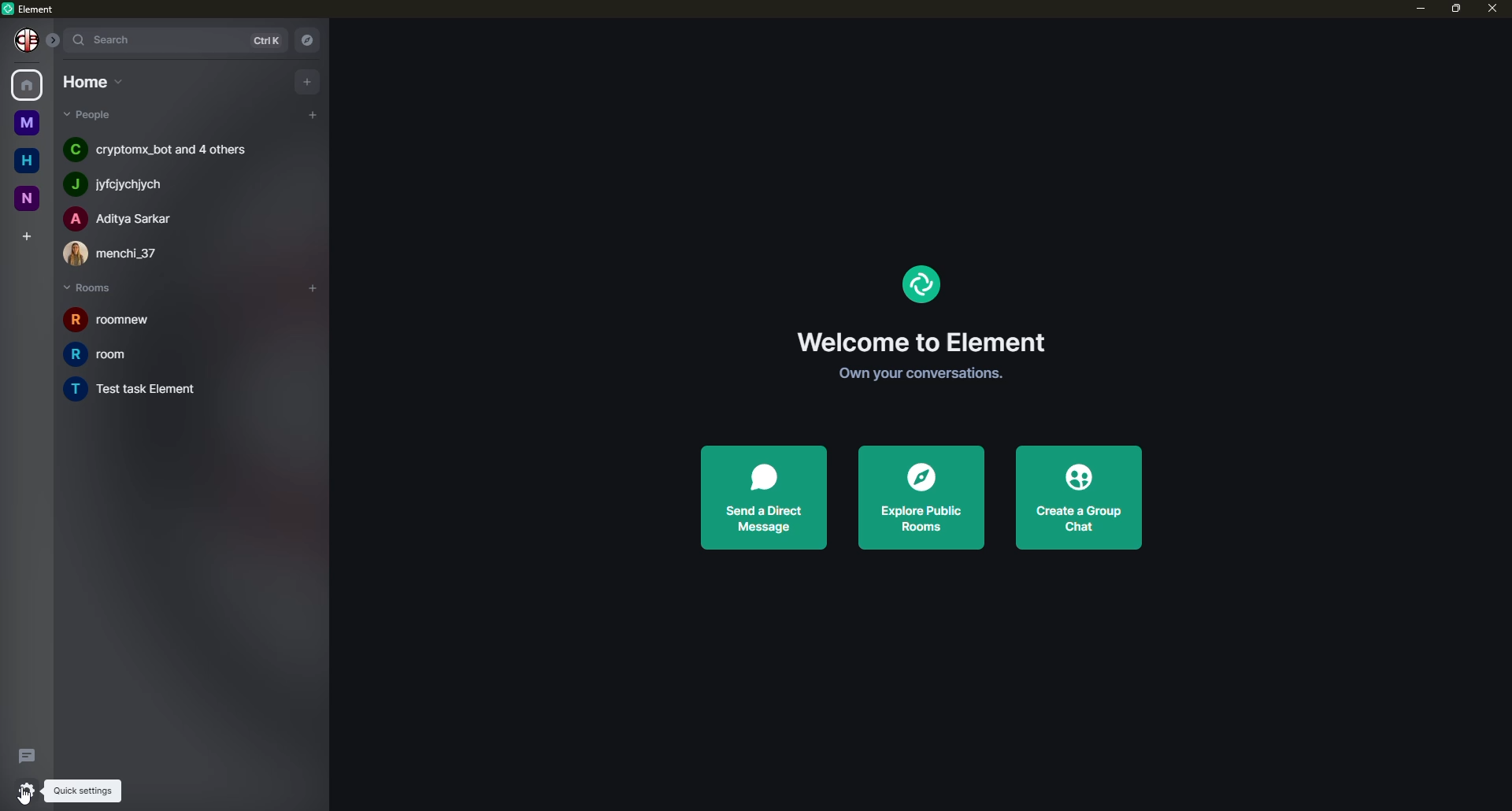 Image resolution: width=1512 pixels, height=811 pixels. I want to click on profile, so click(22, 39).